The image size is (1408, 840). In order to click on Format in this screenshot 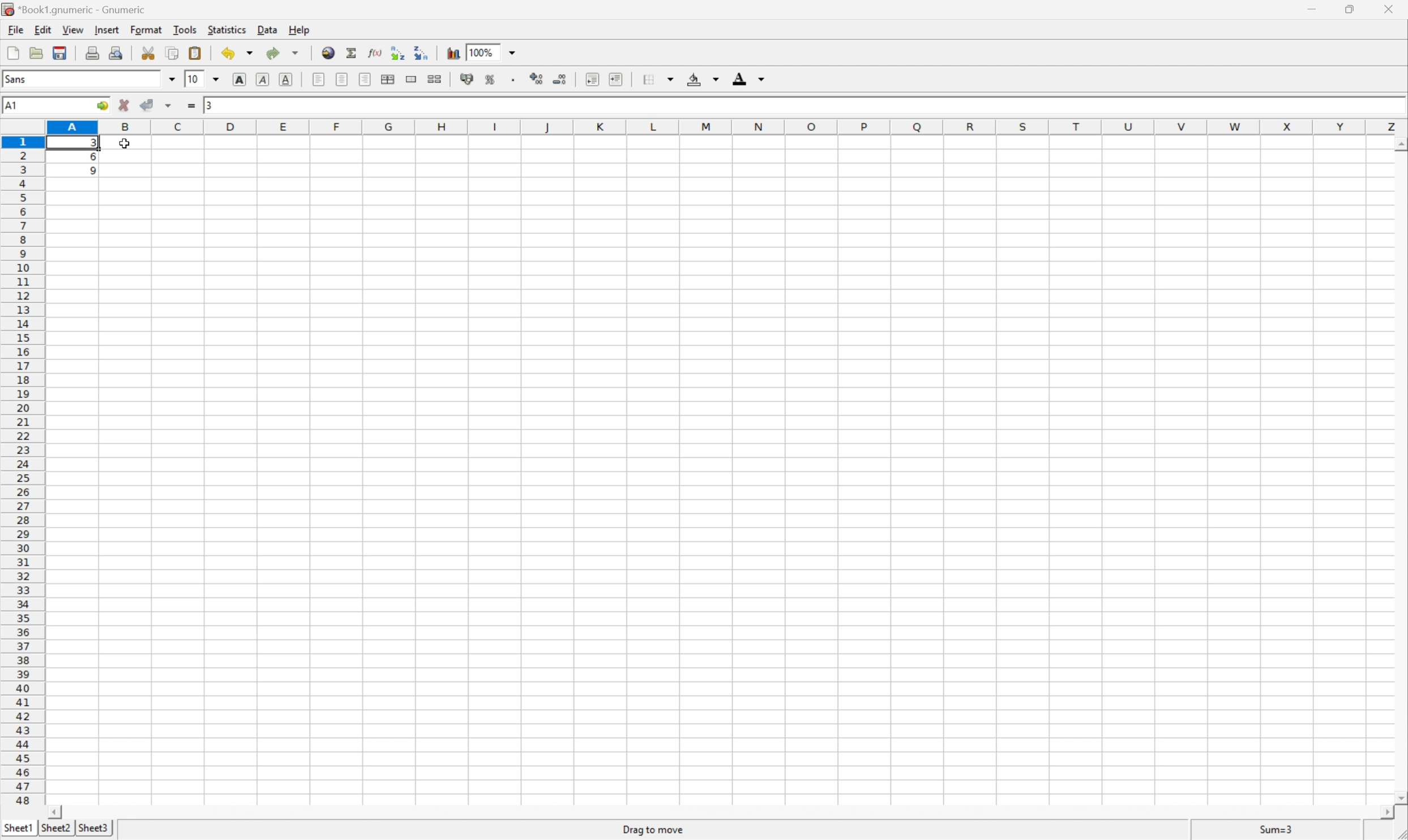, I will do `click(146, 29)`.